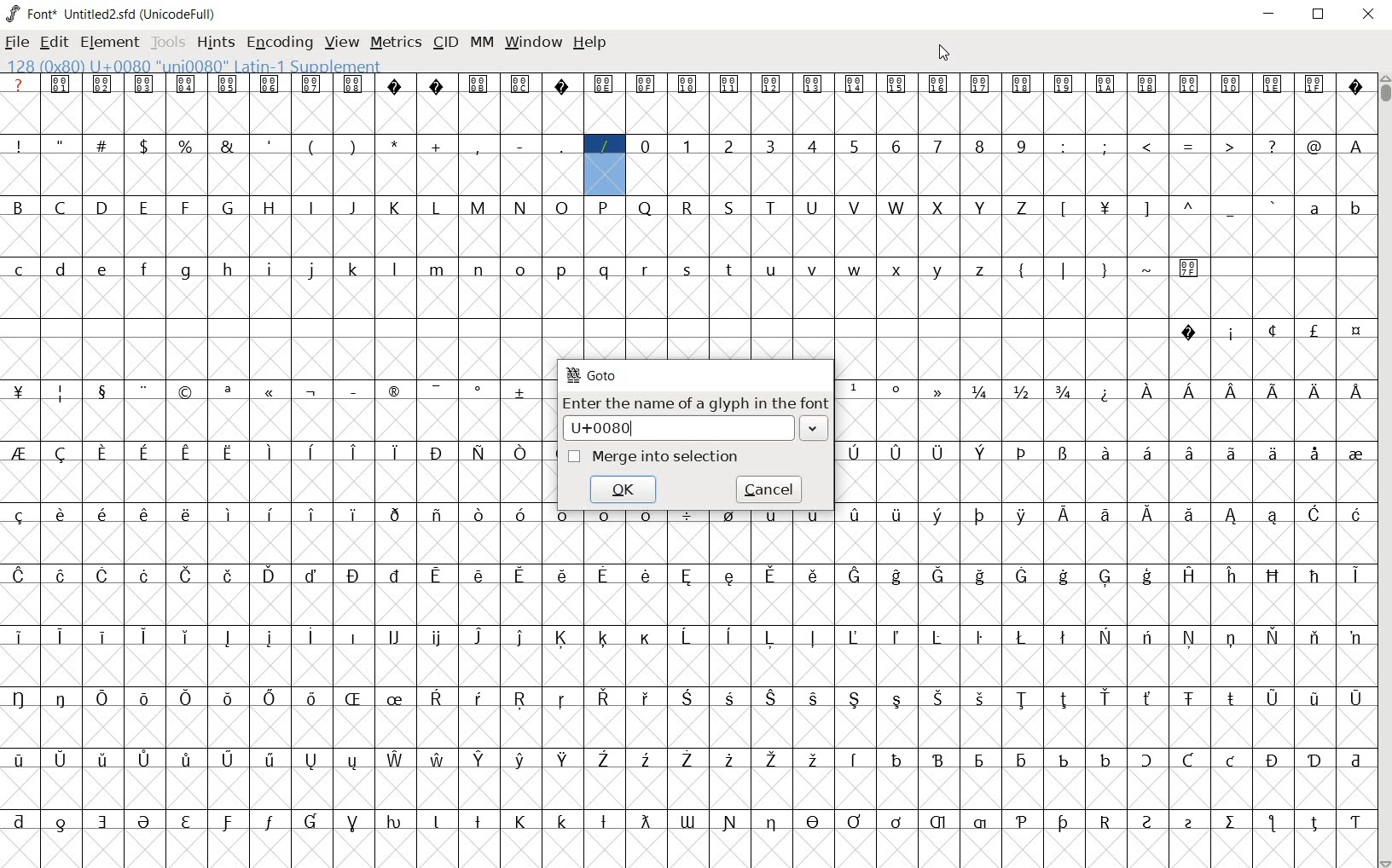 The width and height of the screenshot is (1392, 868). What do you see at coordinates (696, 403) in the screenshot?
I see `Enter the name of a glyph in the font` at bounding box center [696, 403].